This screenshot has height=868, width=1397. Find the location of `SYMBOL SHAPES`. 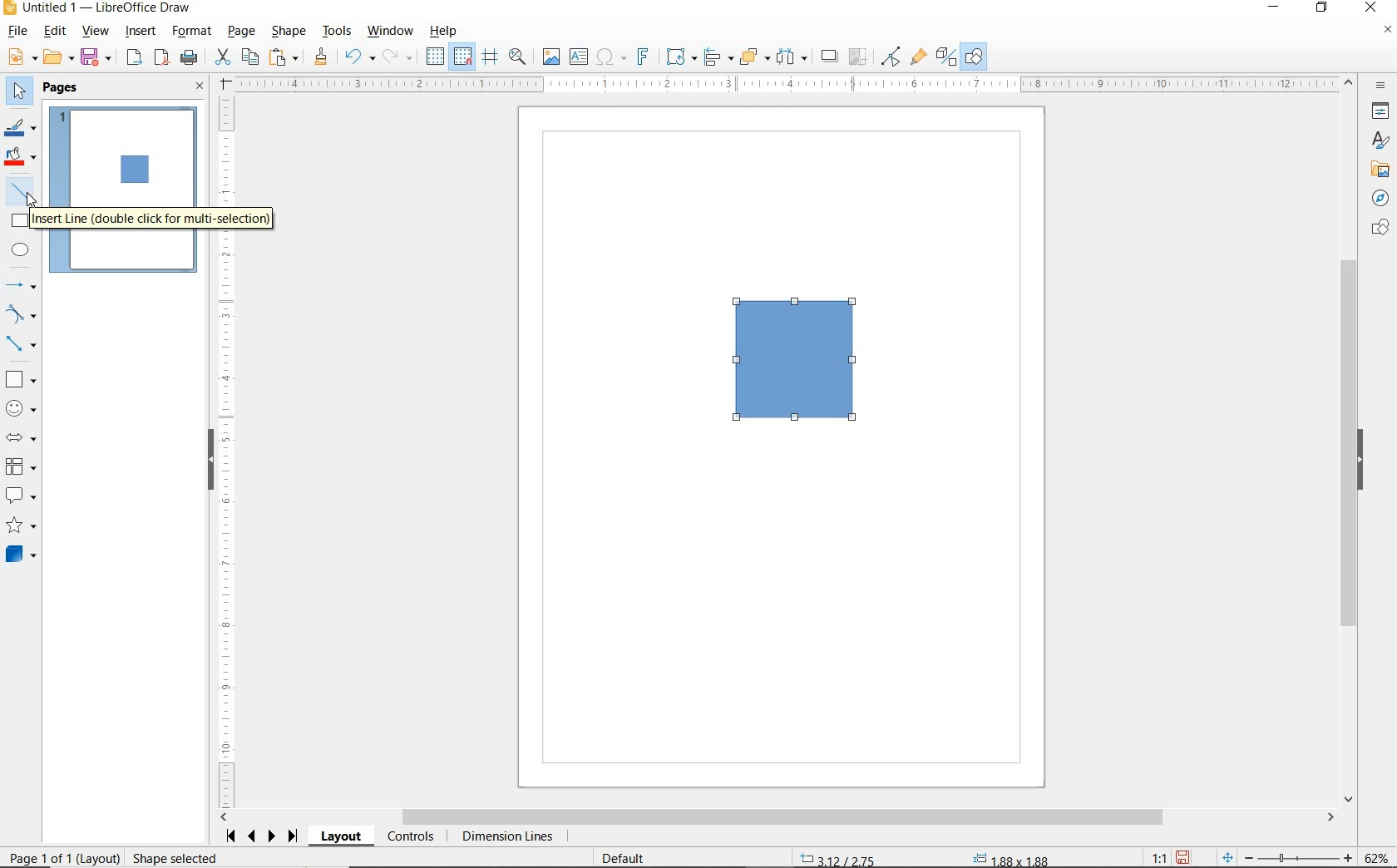

SYMBOL SHAPES is located at coordinates (22, 407).